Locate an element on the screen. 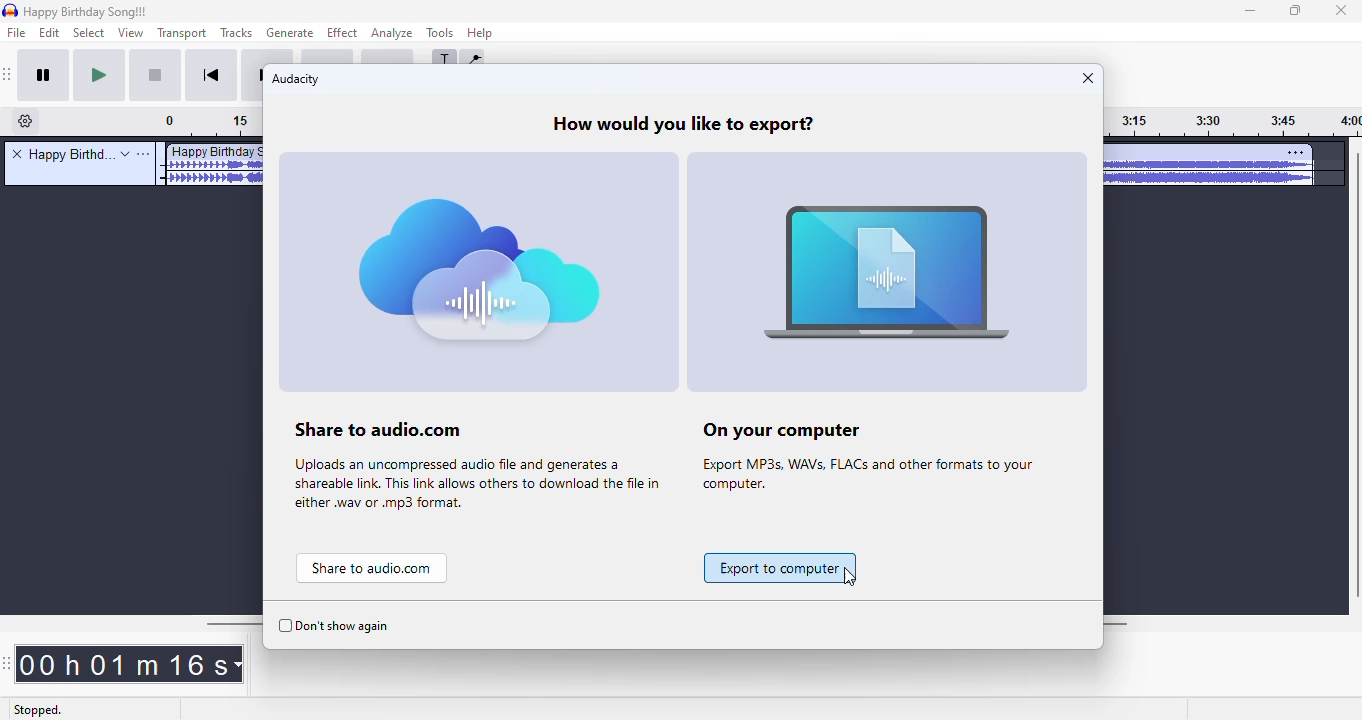  maximize is located at coordinates (1296, 11).